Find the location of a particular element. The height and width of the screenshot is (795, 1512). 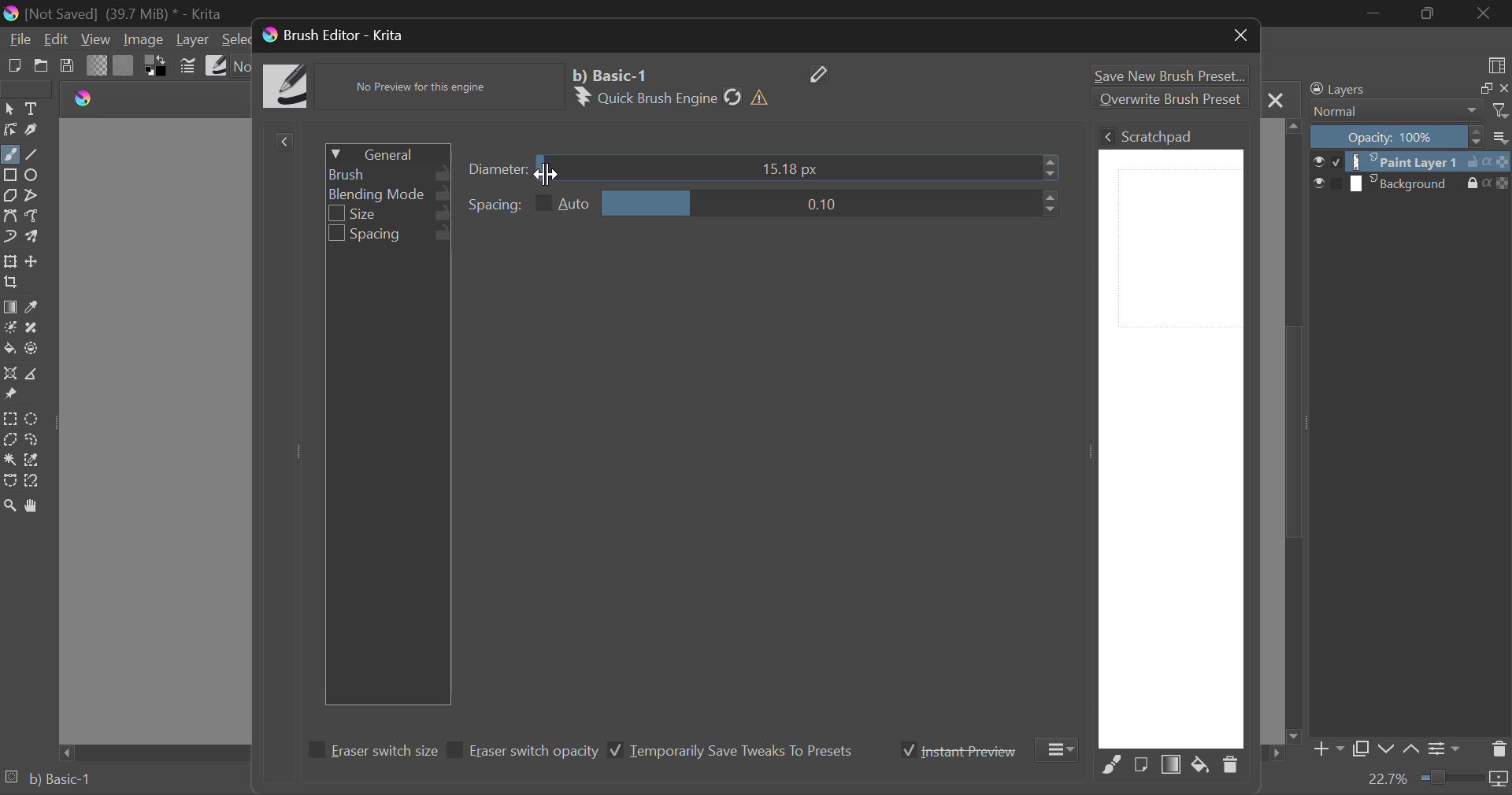

Delete Layer is located at coordinates (1499, 748).